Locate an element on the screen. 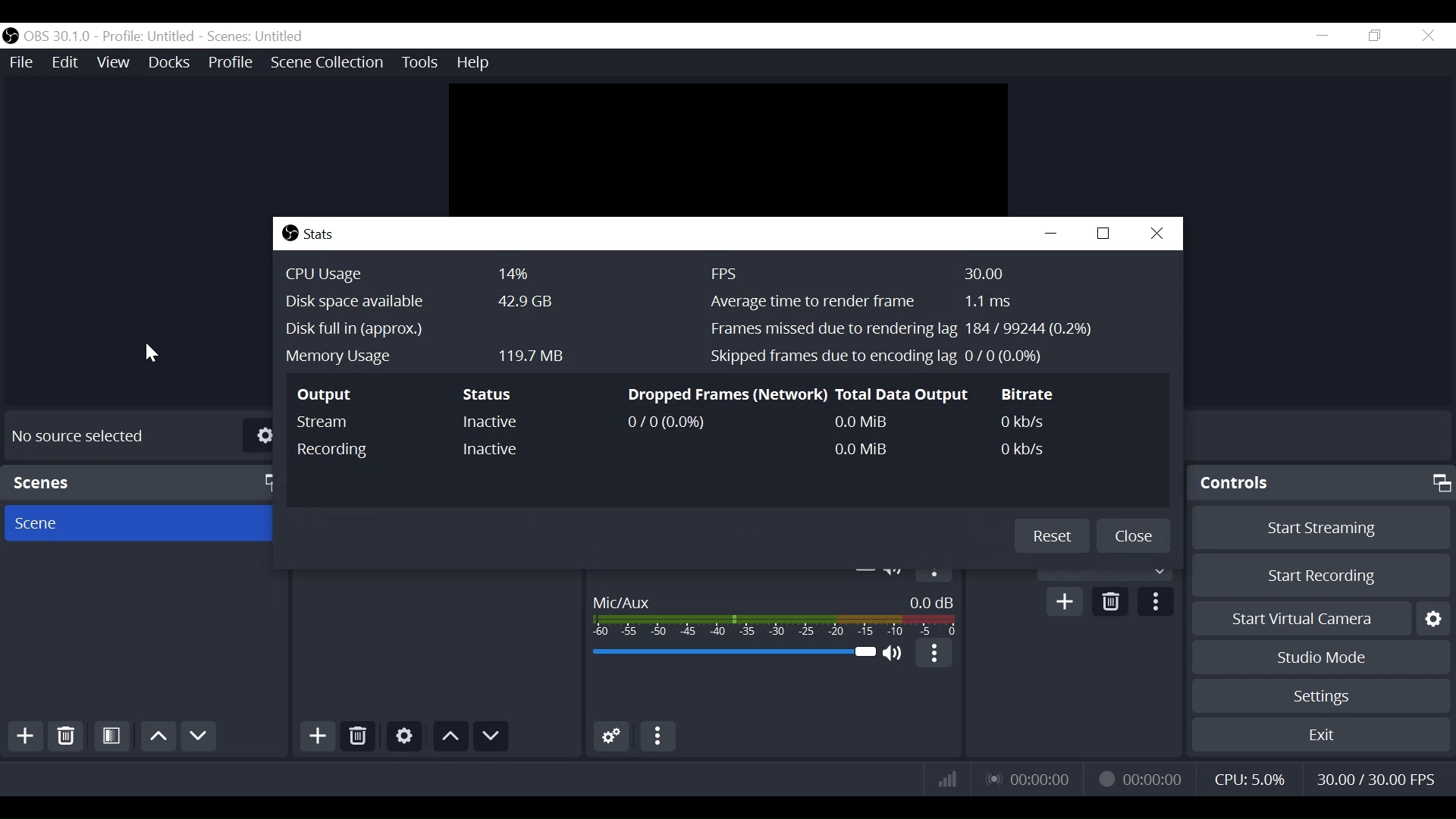 This screenshot has width=1456, height=819. 0.0MB is located at coordinates (867, 449).